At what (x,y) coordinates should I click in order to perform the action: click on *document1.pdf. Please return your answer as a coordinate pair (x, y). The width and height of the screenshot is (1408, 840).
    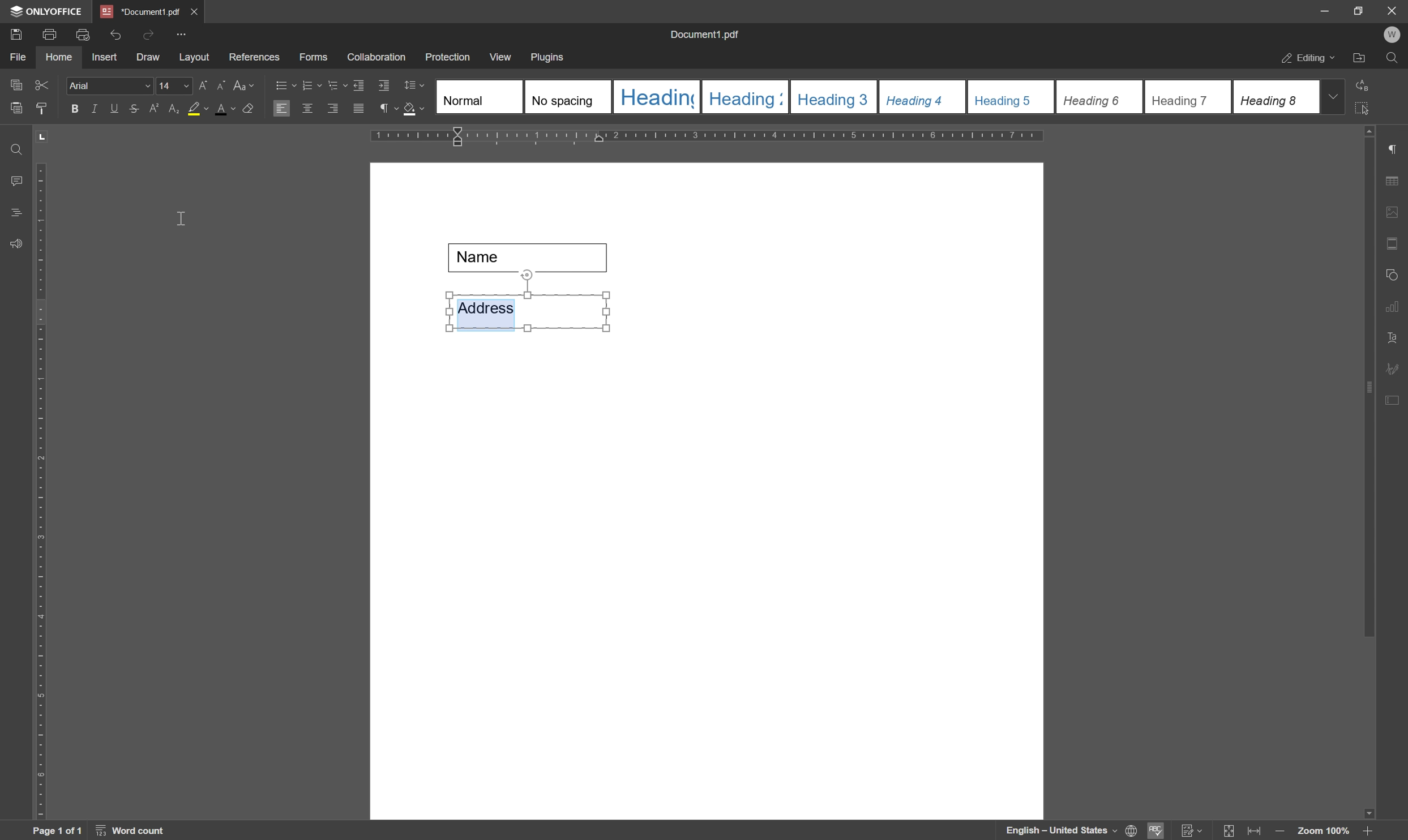
    Looking at the image, I should click on (140, 11).